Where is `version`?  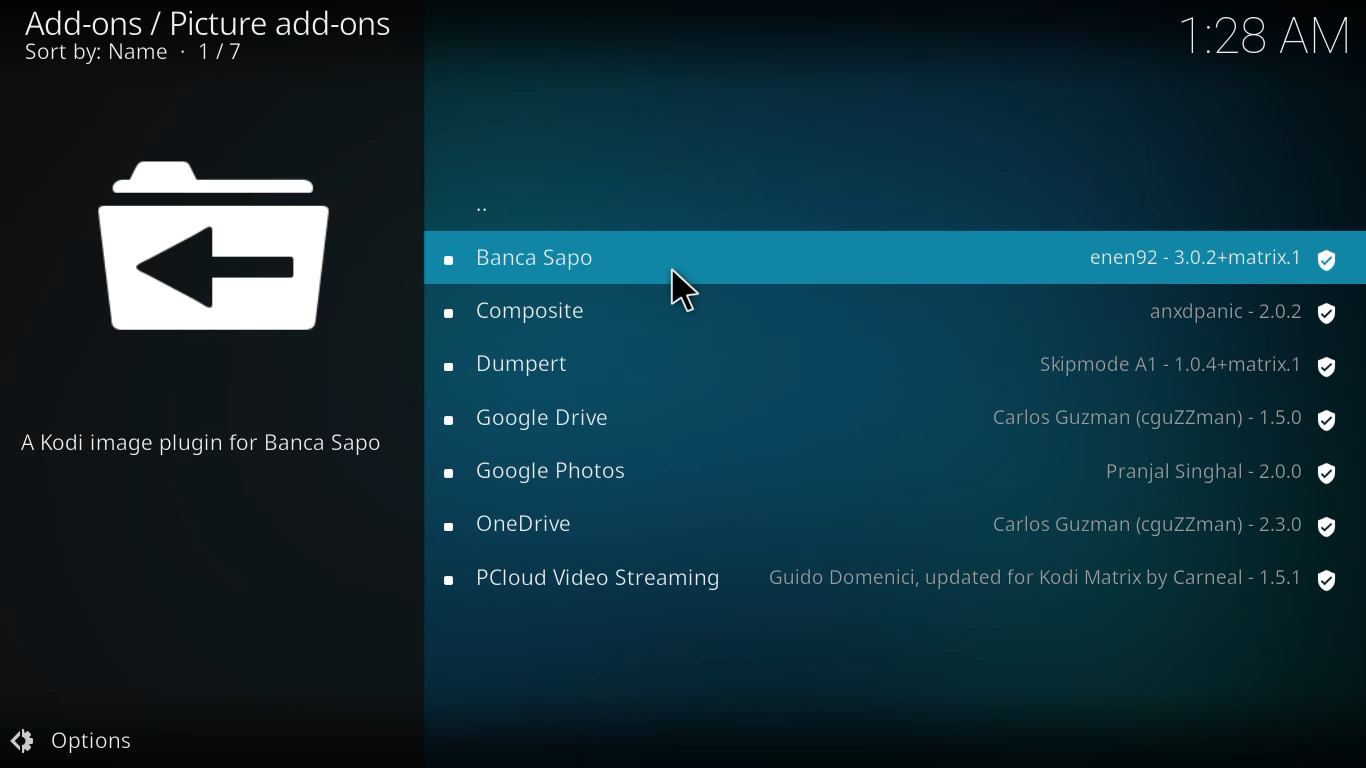 version is located at coordinates (1213, 259).